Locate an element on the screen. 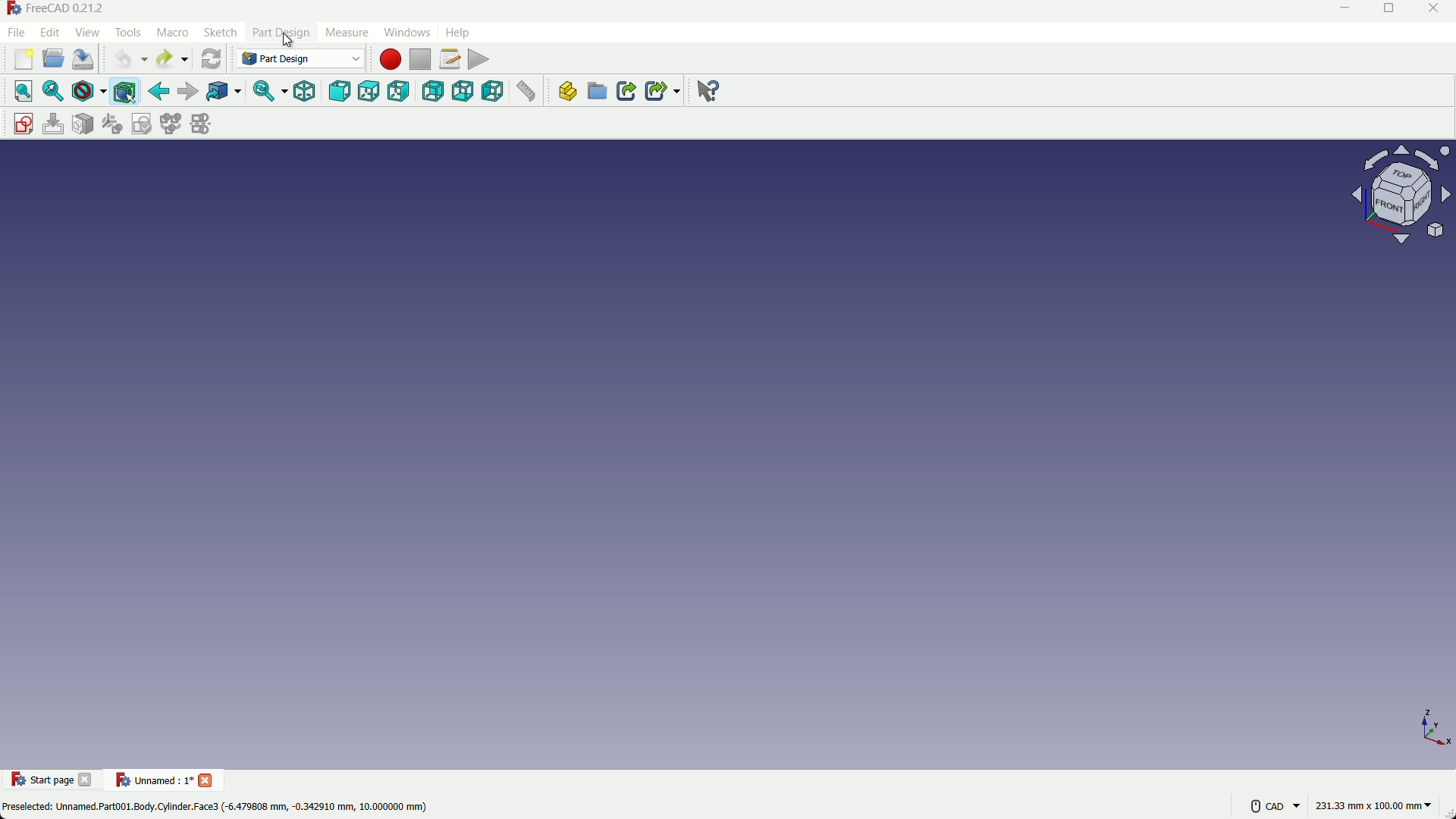 The image size is (1456, 819). z, y, x axis is located at coordinates (1423, 730).